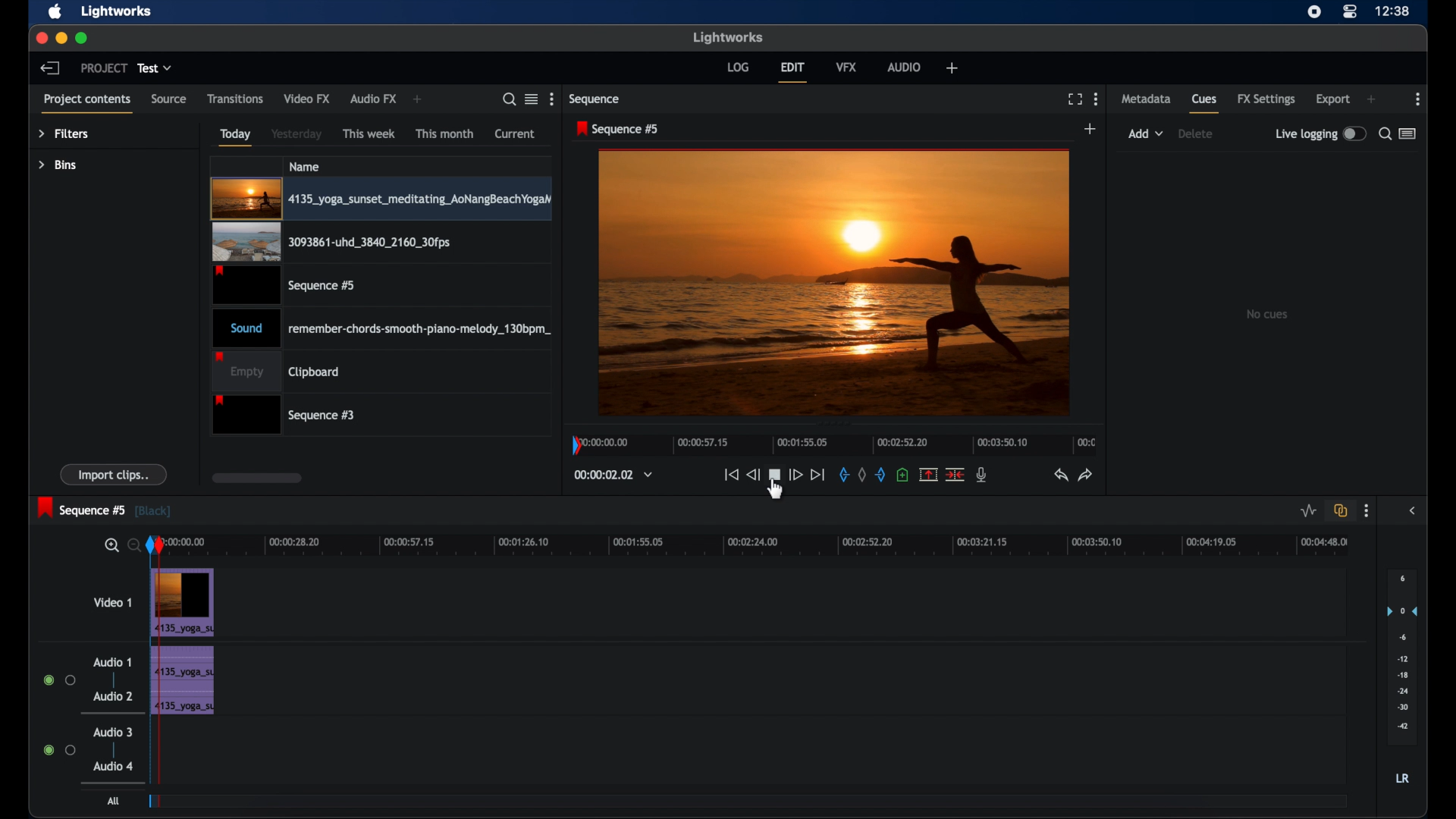  I want to click on add dropdown, so click(1146, 133).